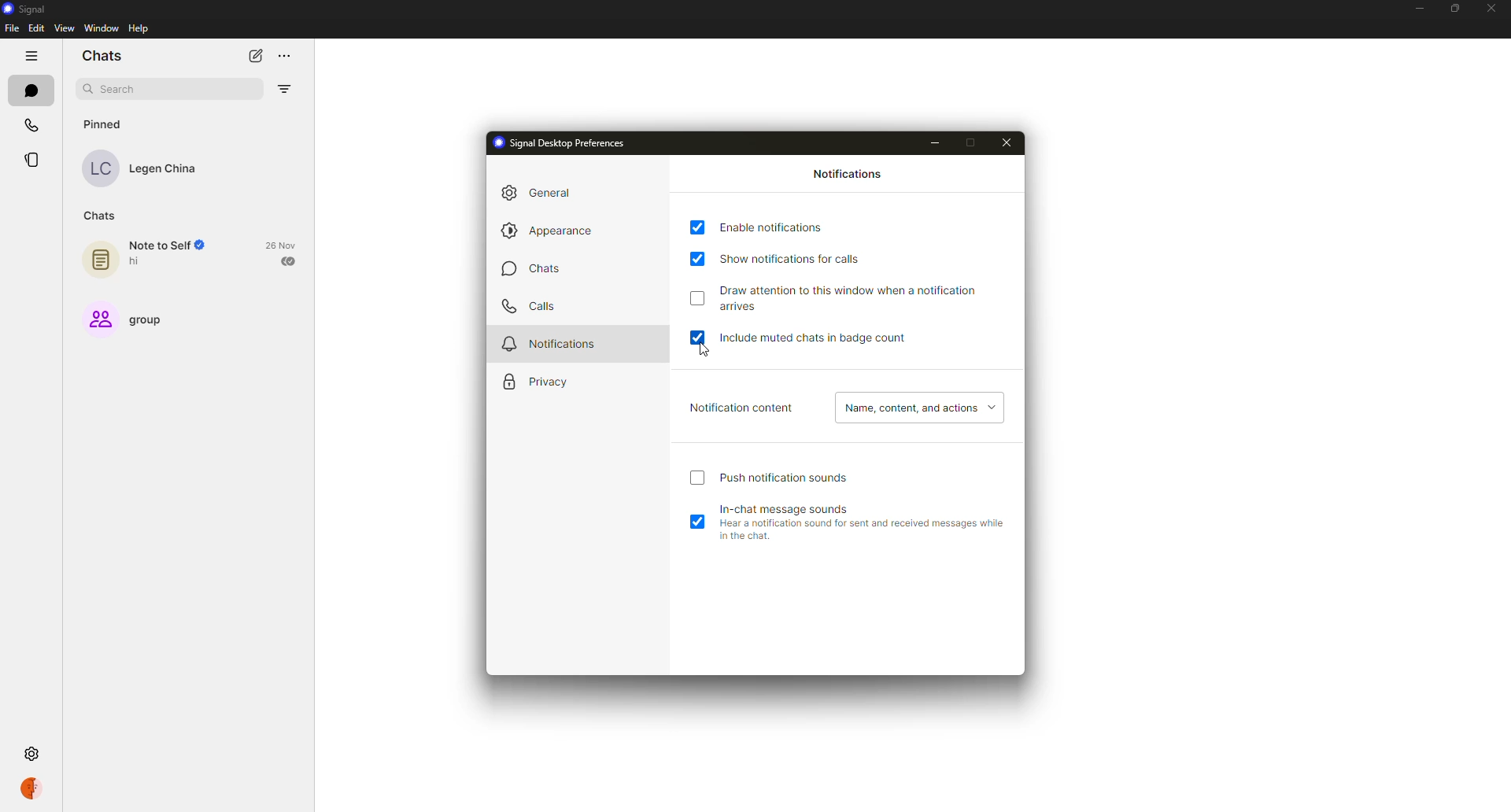  I want to click on minimize, so click(1417, 9).